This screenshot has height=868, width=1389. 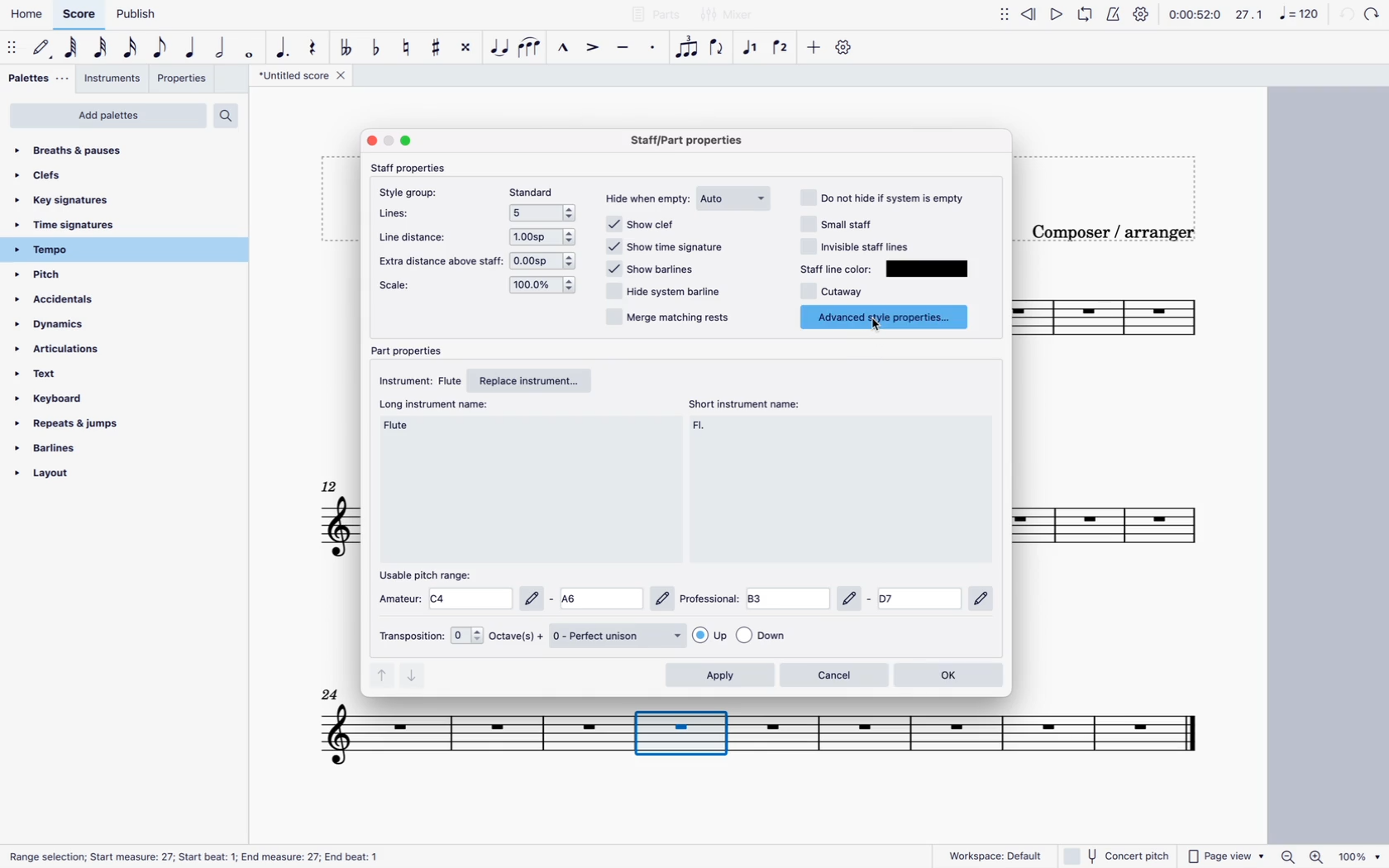 What do you see at coordinates (341, 74) in the screenshot?
I see `close tab` at bounding box center [341, 74].